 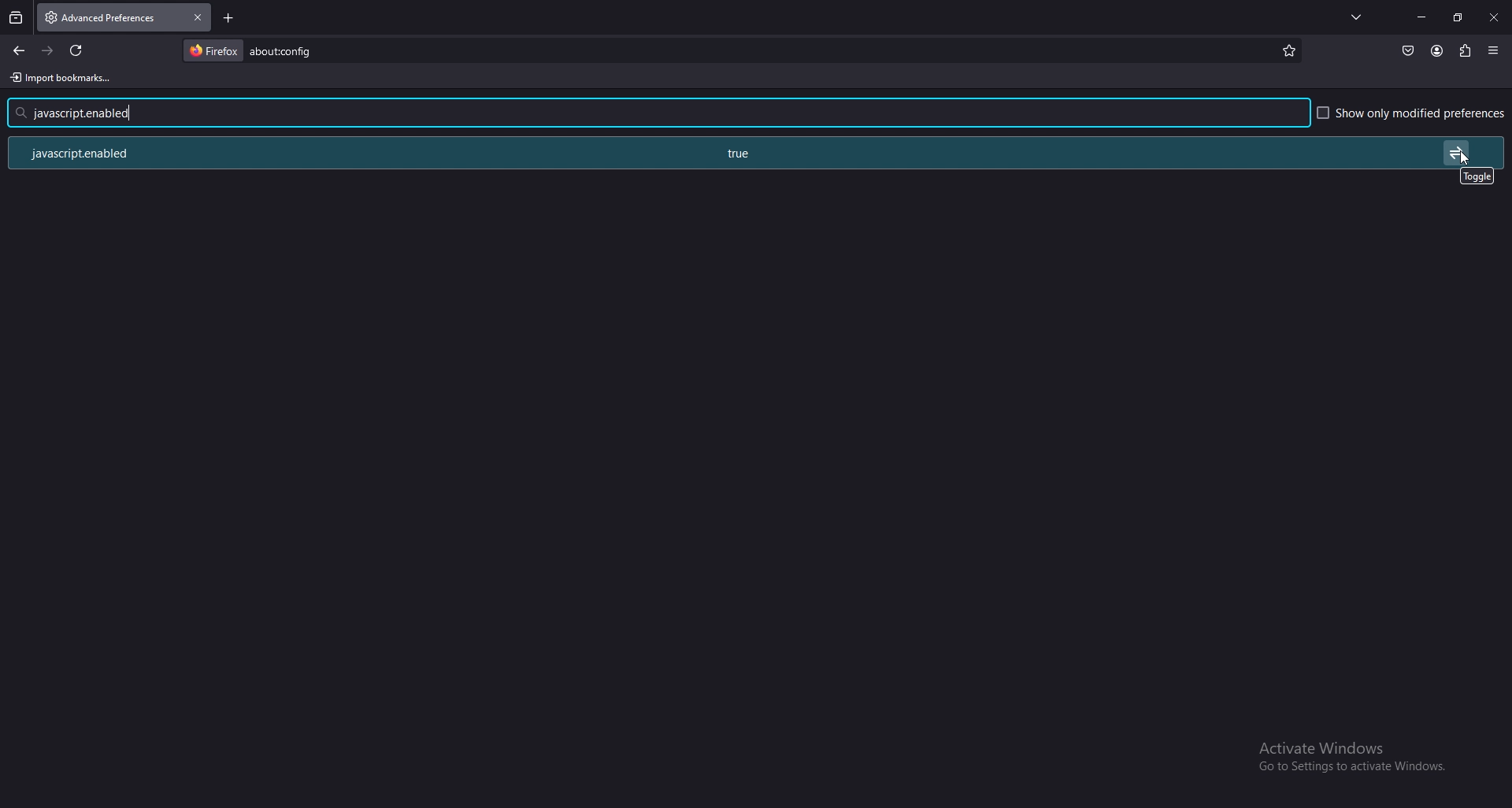 What do you see at coordinates (213, 50) in the screenshot?
I see `firefox` at bounding box center [213, 50].